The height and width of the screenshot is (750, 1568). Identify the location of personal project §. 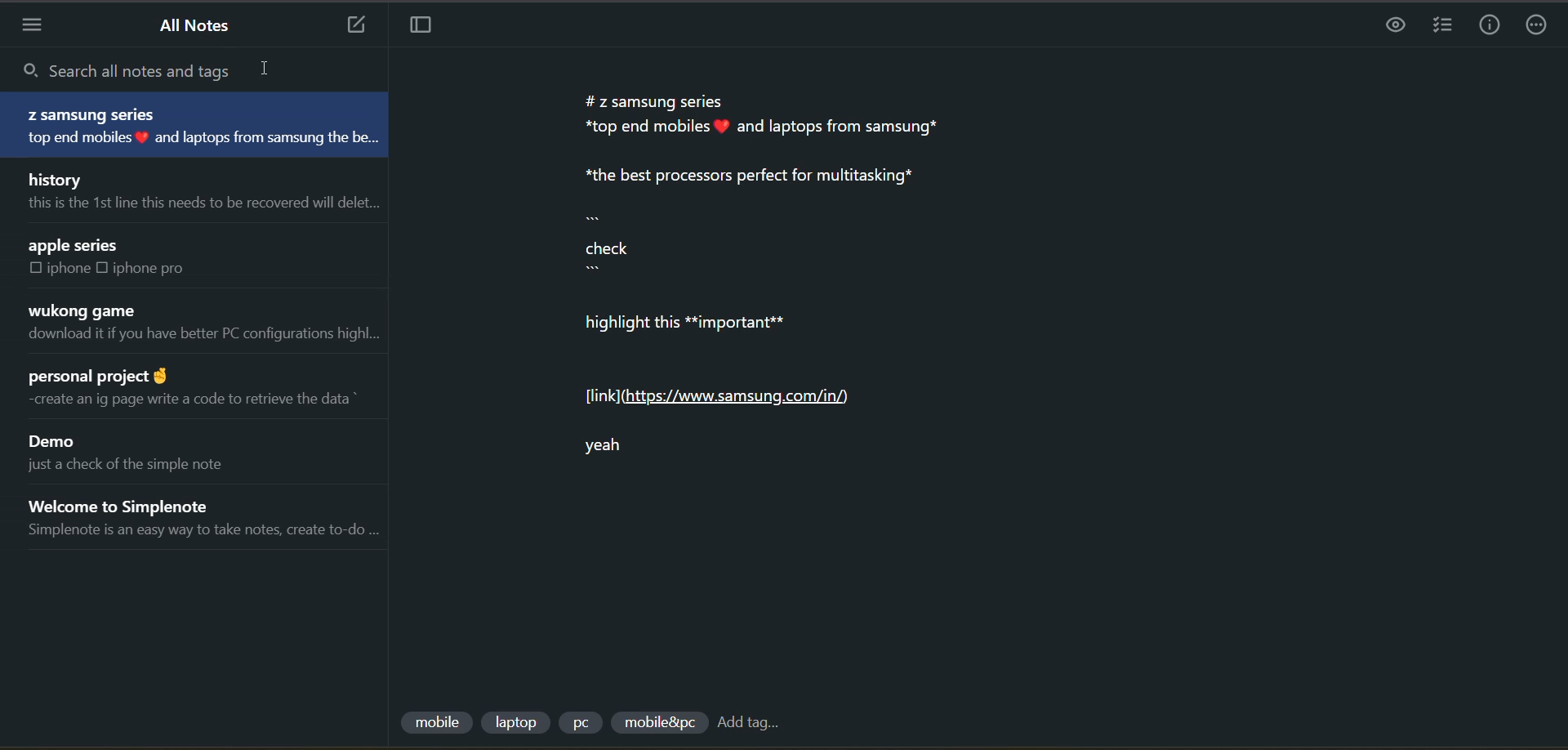
(115, 376).